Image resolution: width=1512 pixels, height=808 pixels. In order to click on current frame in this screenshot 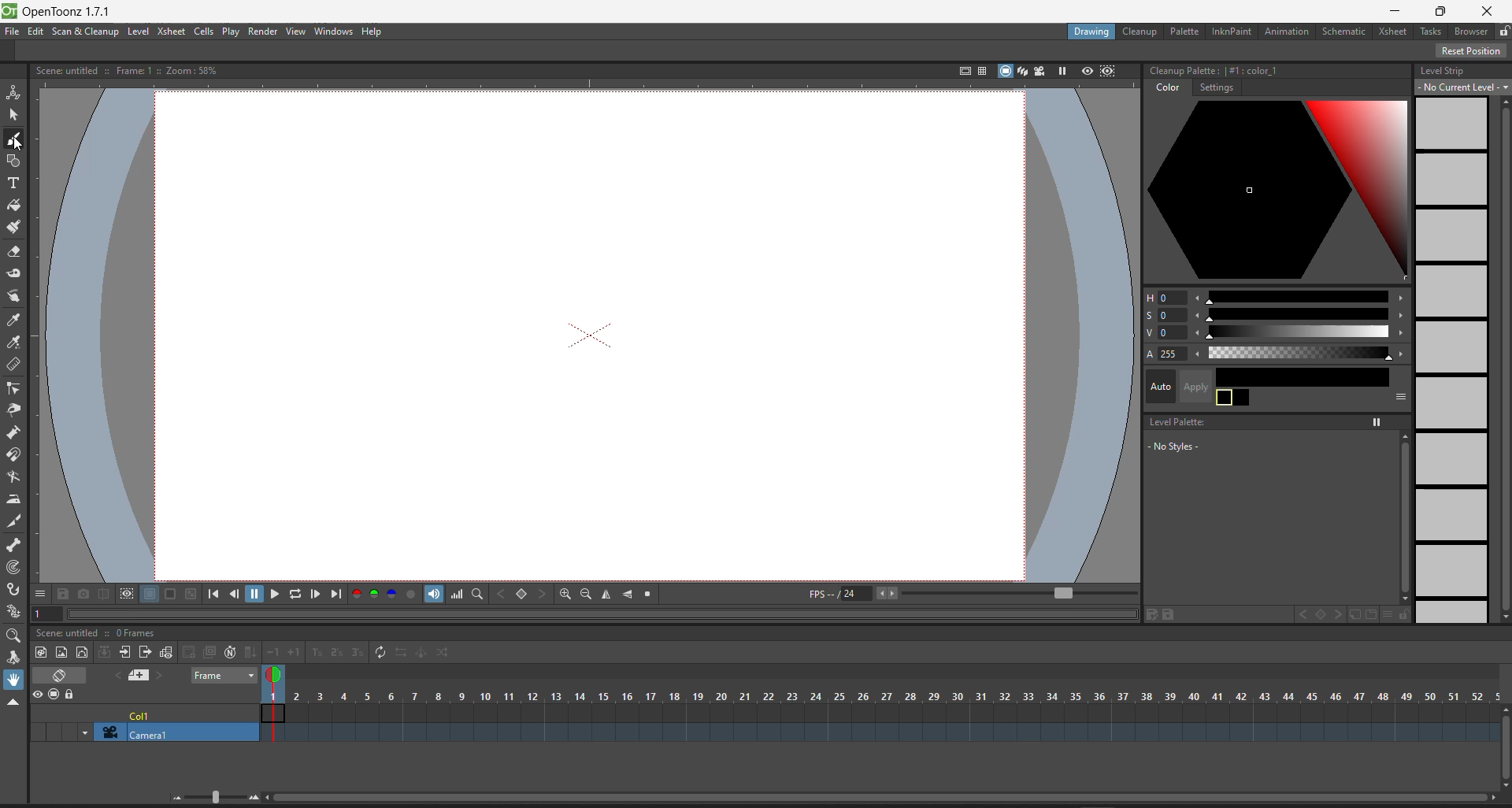, I will do `click(276, 701)`.